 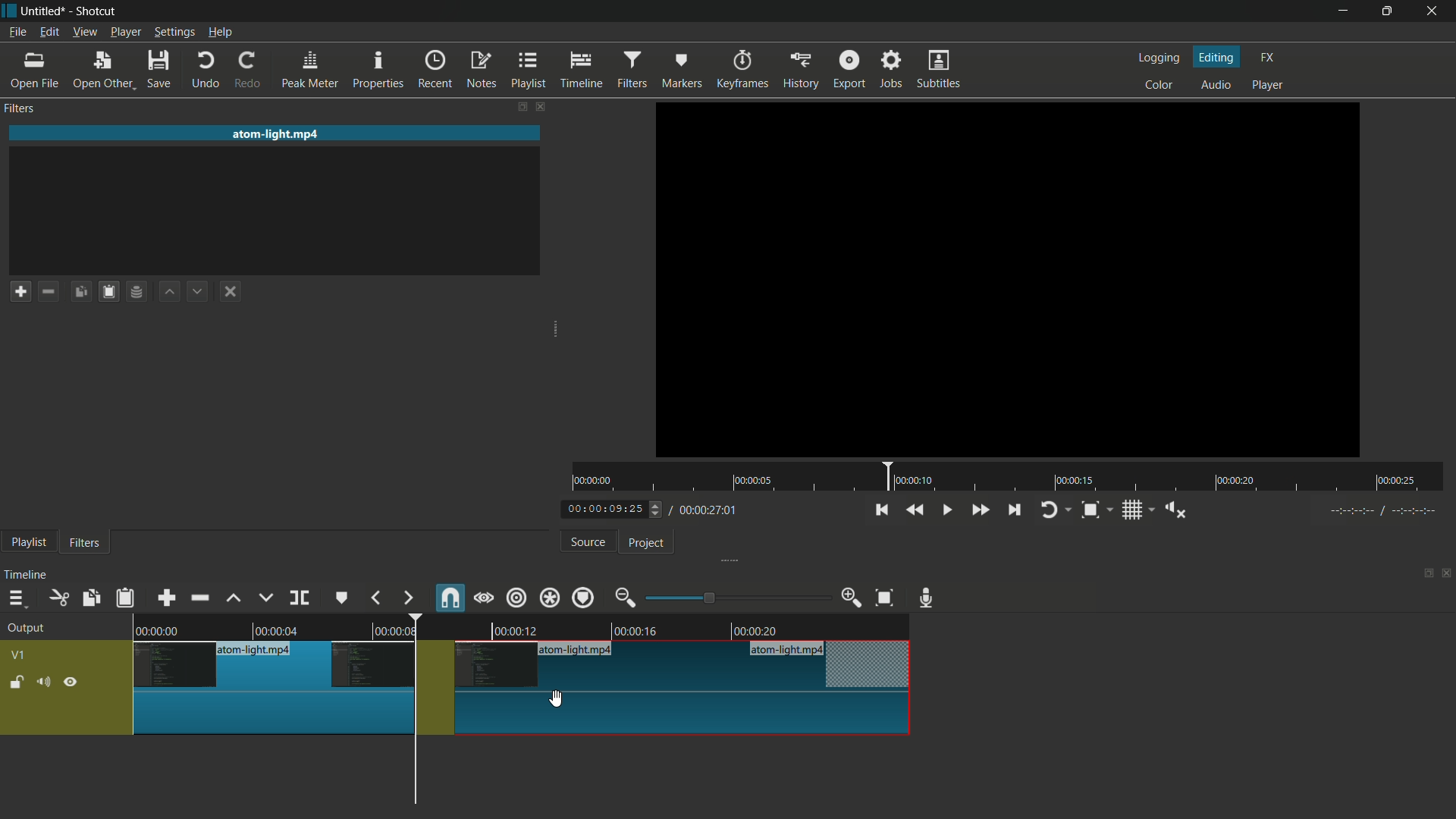 I want to click on cut, so click(x=60, y=598).